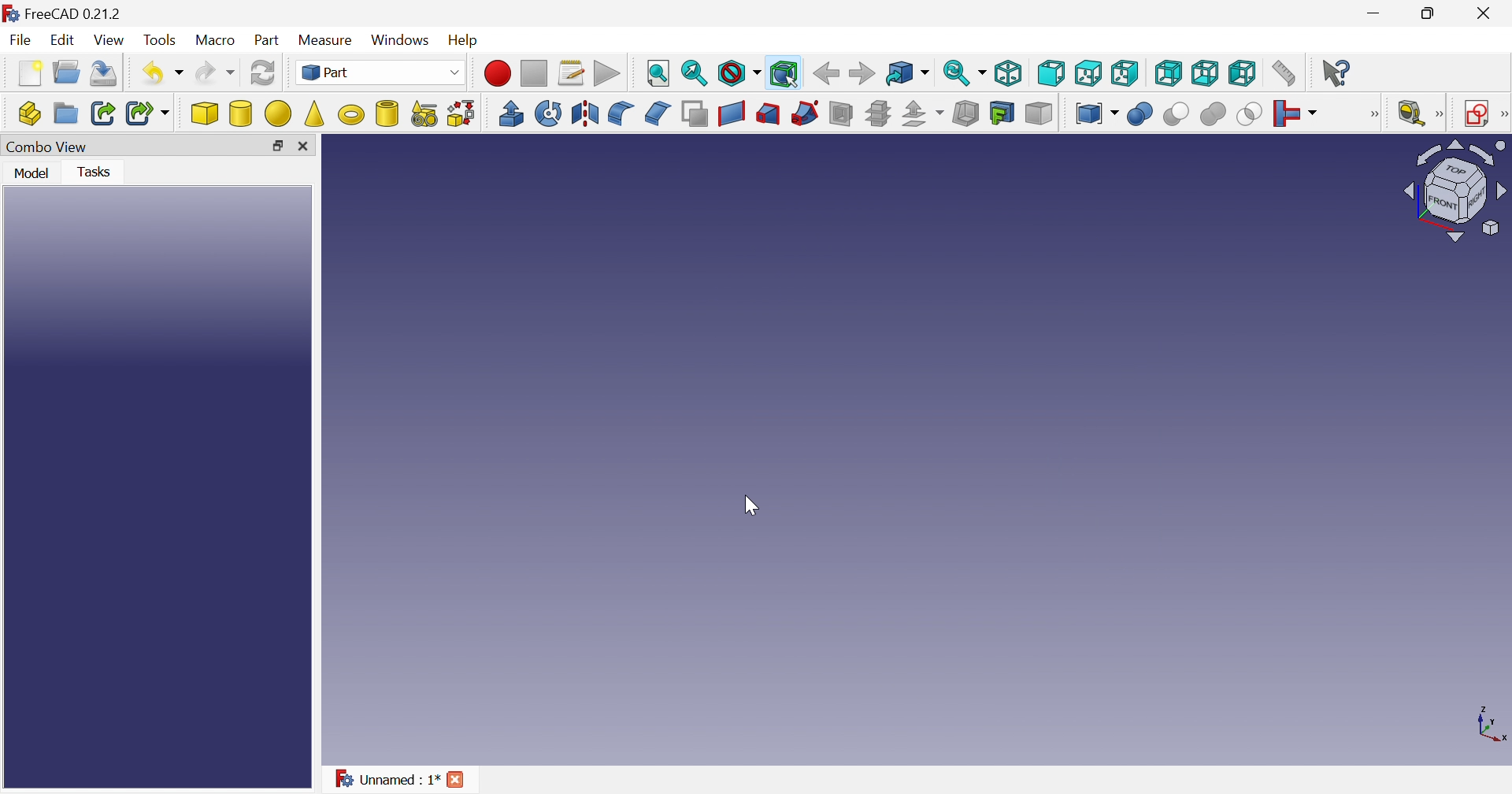 This screenshot has height=794, width=1512. Describe the element at coordinates (387, 113) in the screenshot. I see `Create tube` at that location.